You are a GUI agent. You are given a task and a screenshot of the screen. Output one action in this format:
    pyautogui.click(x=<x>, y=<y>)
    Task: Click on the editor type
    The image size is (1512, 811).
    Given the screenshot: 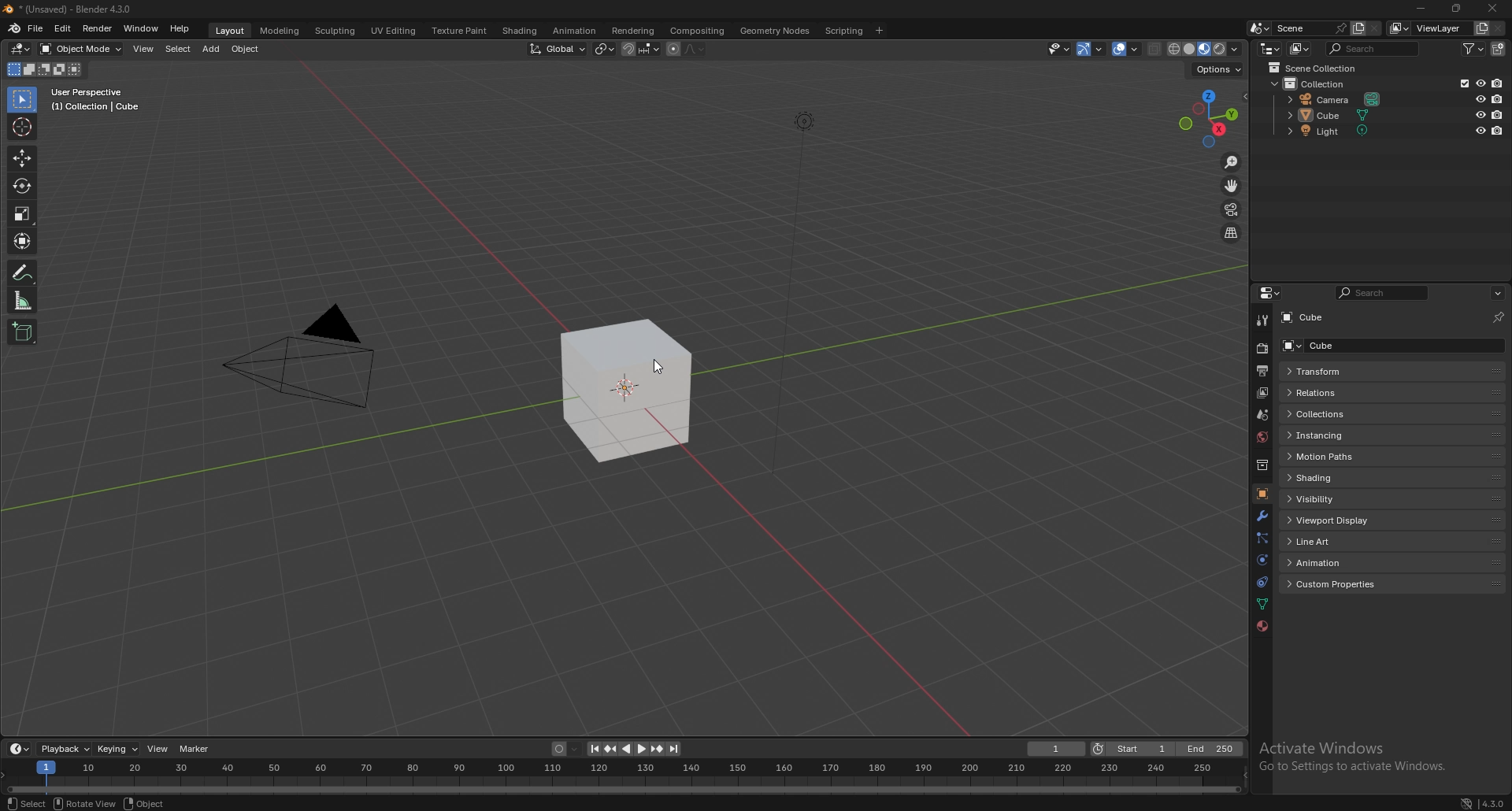 What is the action you would take?
    pyautogui.click(x=1269, y=49)
    